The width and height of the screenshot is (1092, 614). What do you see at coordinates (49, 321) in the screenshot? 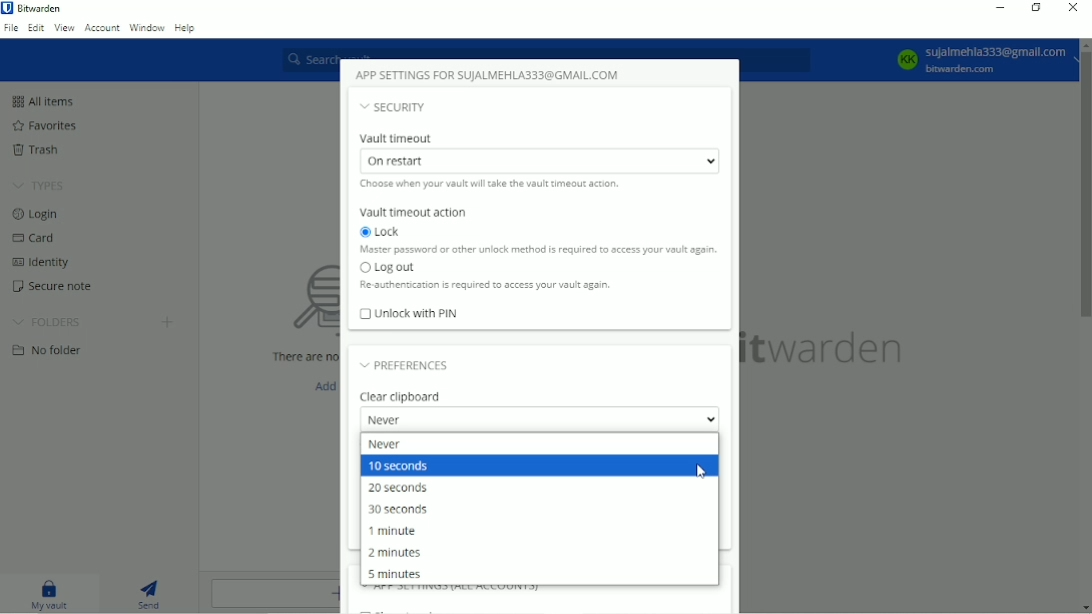
I see `Folders` at bounding box center [49, 321].